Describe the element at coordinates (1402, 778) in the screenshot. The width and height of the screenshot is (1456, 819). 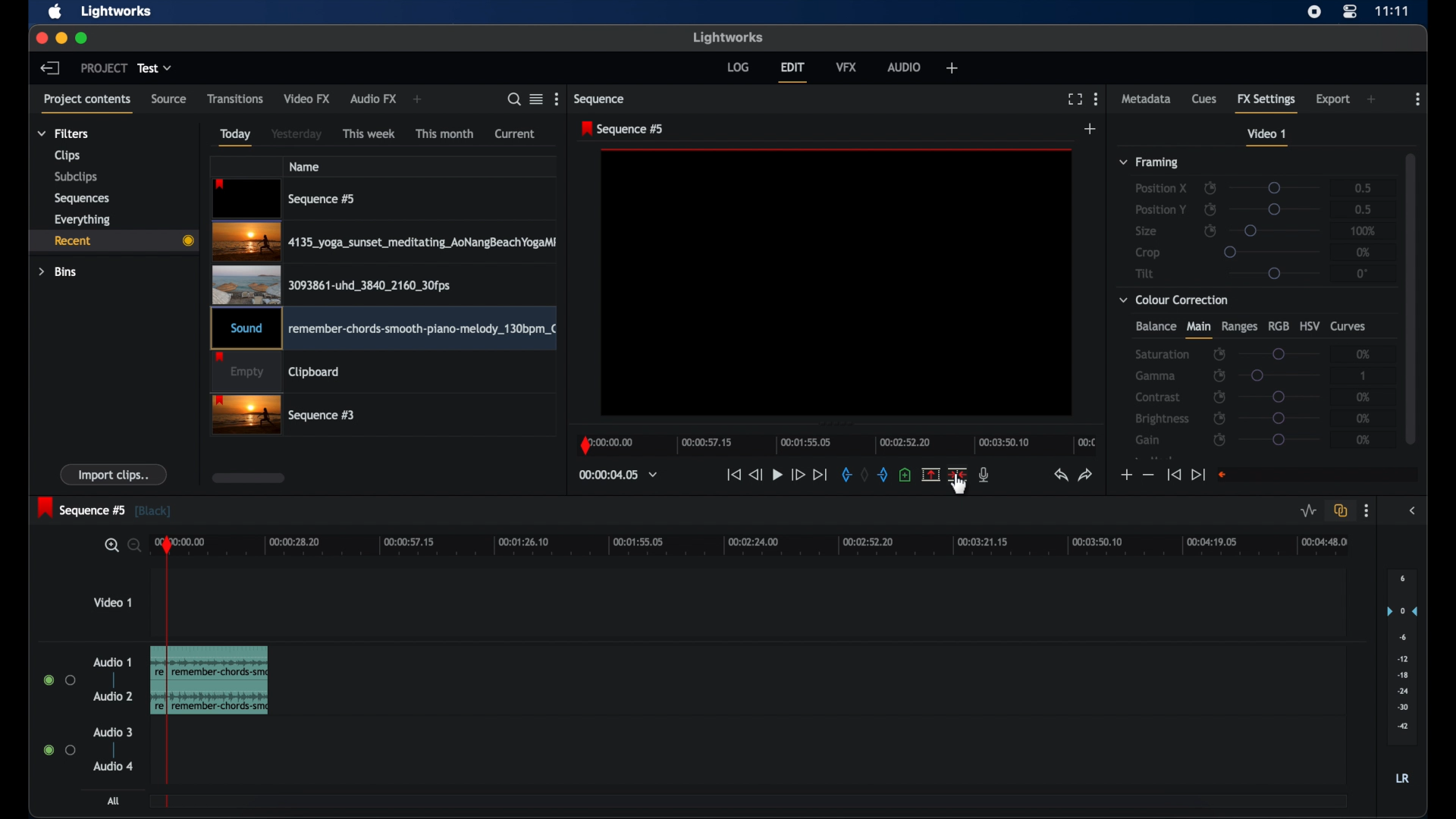
I see `LR` at that location.